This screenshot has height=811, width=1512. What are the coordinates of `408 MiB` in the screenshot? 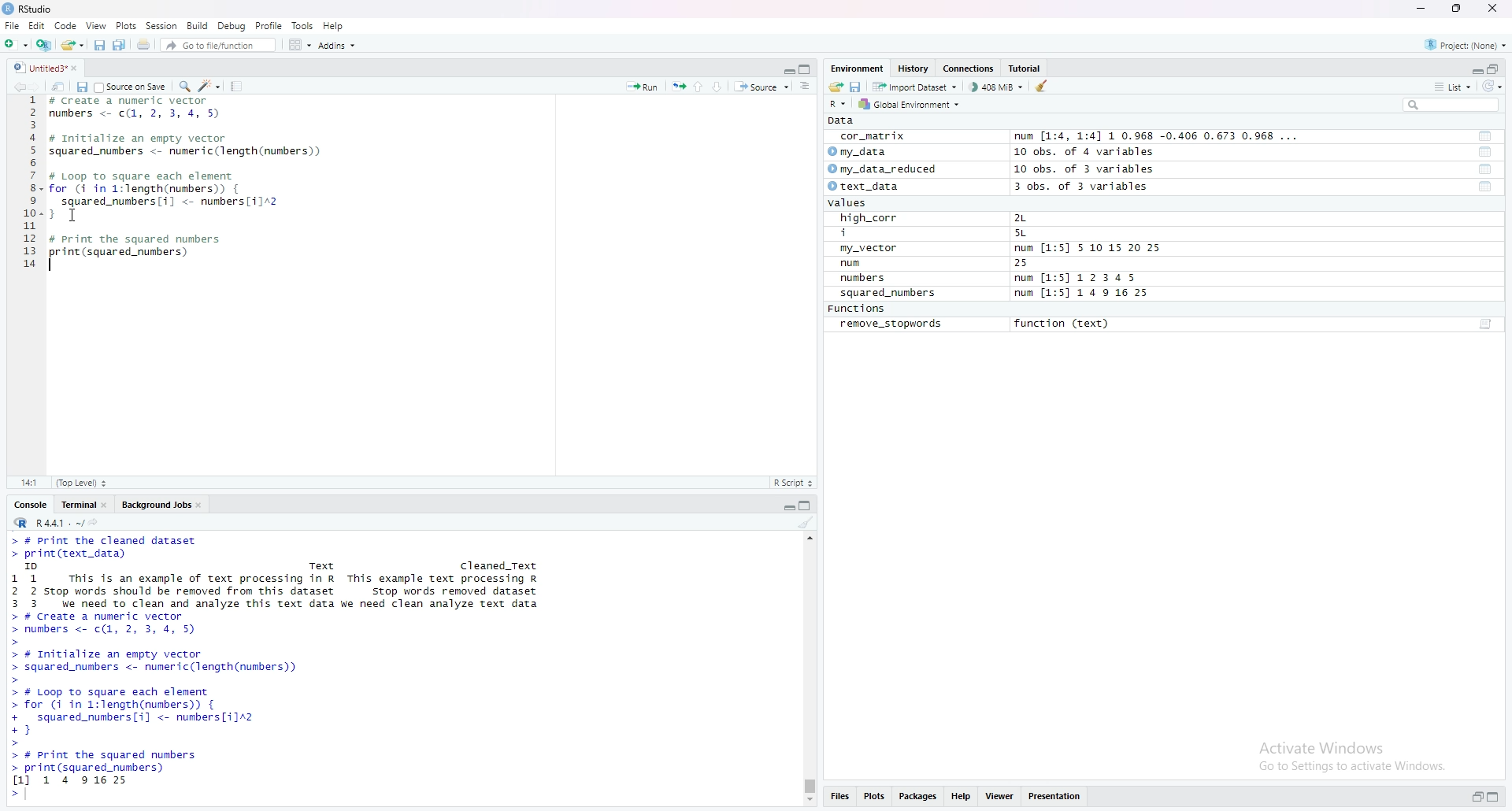 It's located at (995, 87).